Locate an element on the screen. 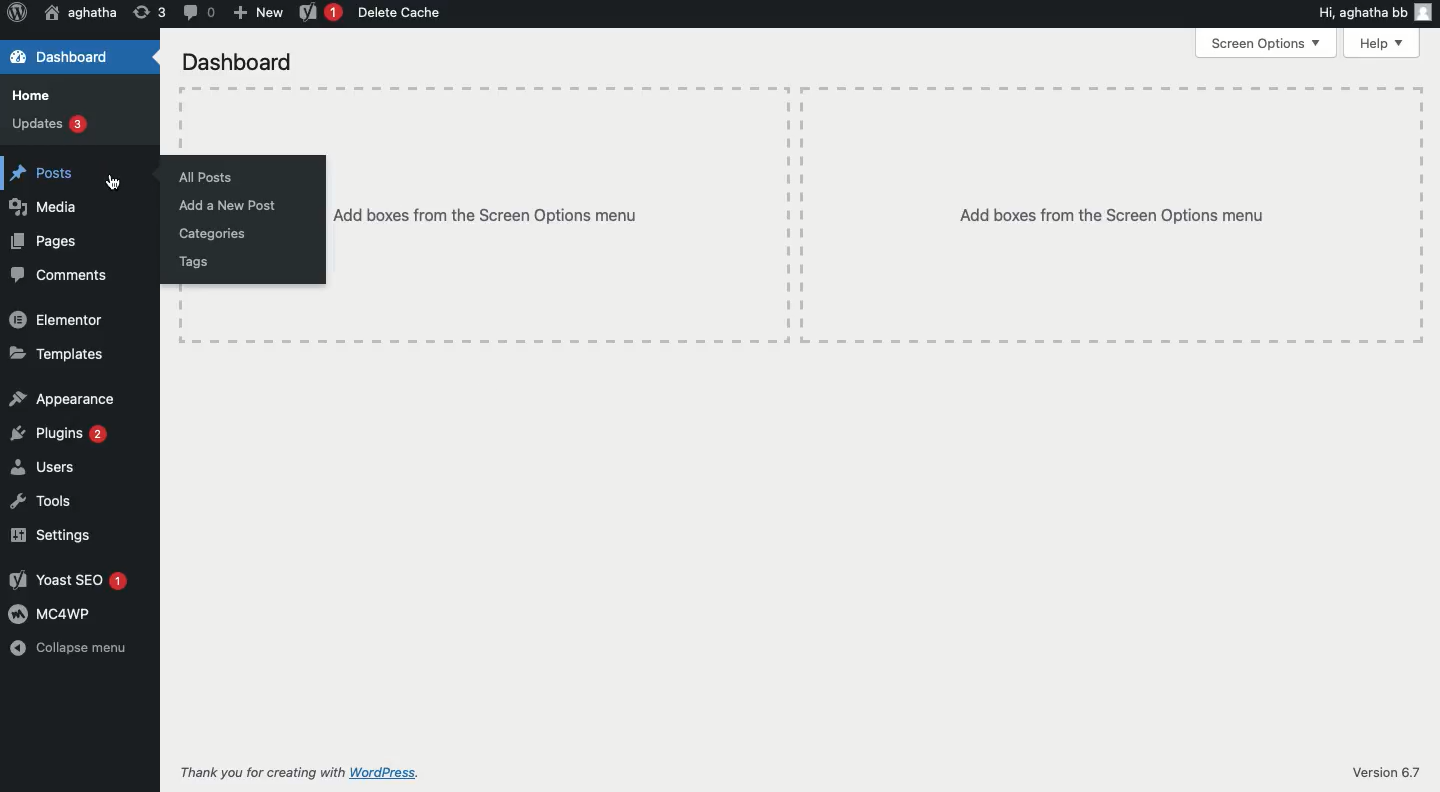  Wordpress logo is located at coordinates (15, 12).